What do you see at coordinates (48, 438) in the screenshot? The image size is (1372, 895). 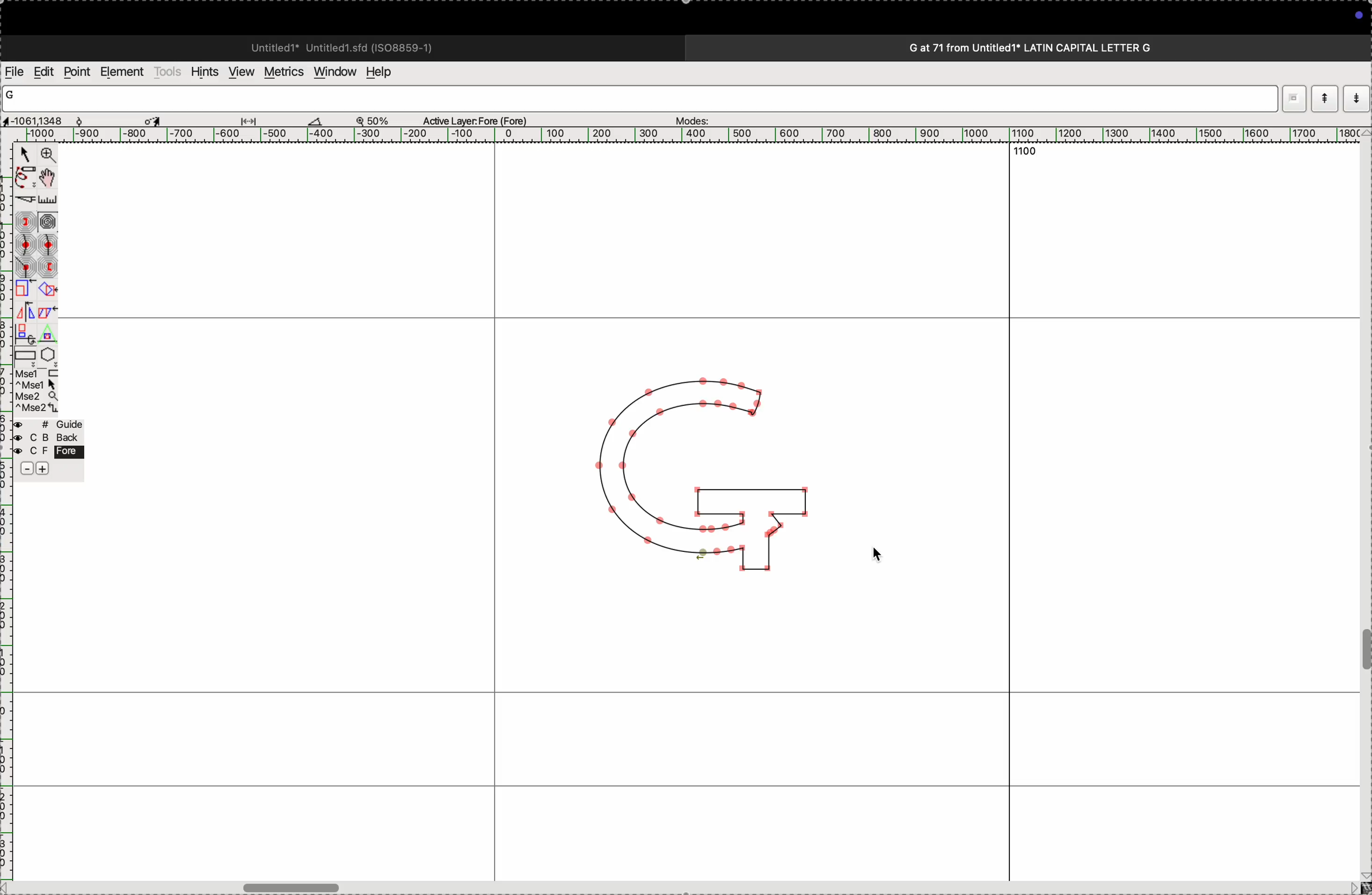 I see `back layer` at bounding box center [48, 438].